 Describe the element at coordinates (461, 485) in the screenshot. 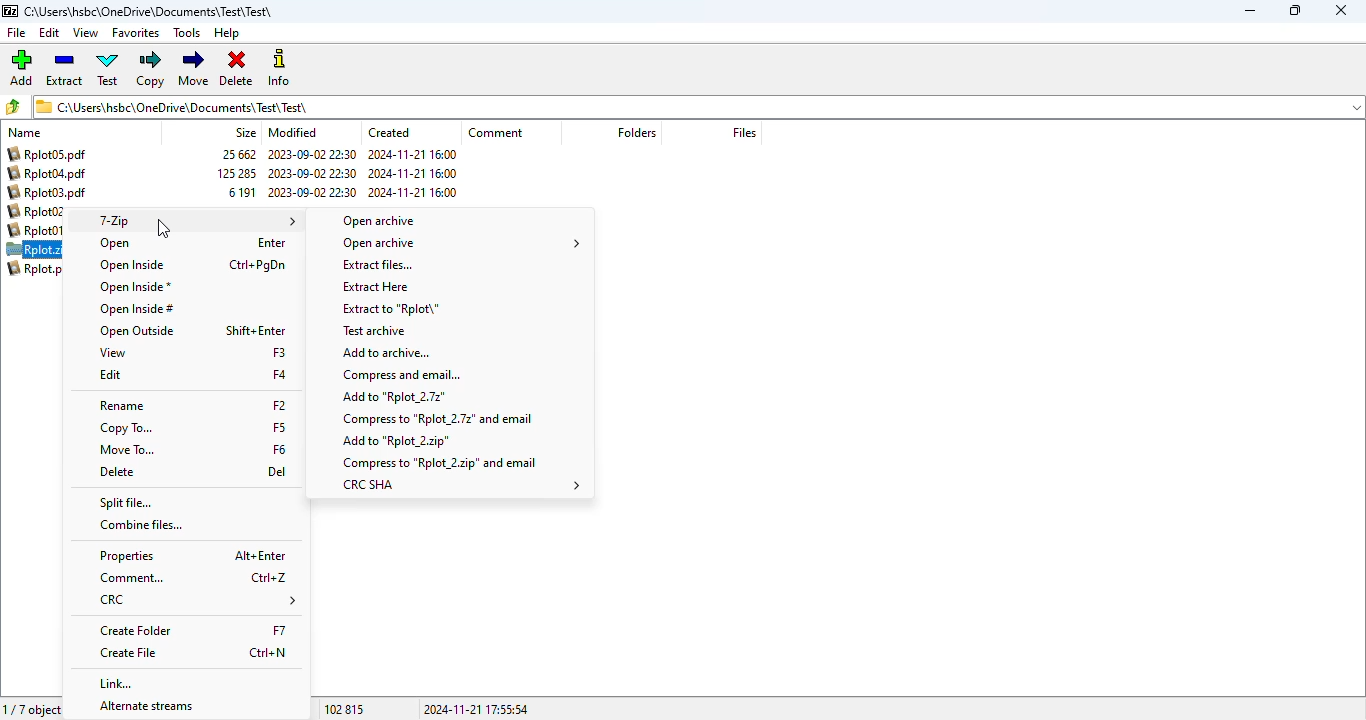

I see `CRC SHA` at that location.